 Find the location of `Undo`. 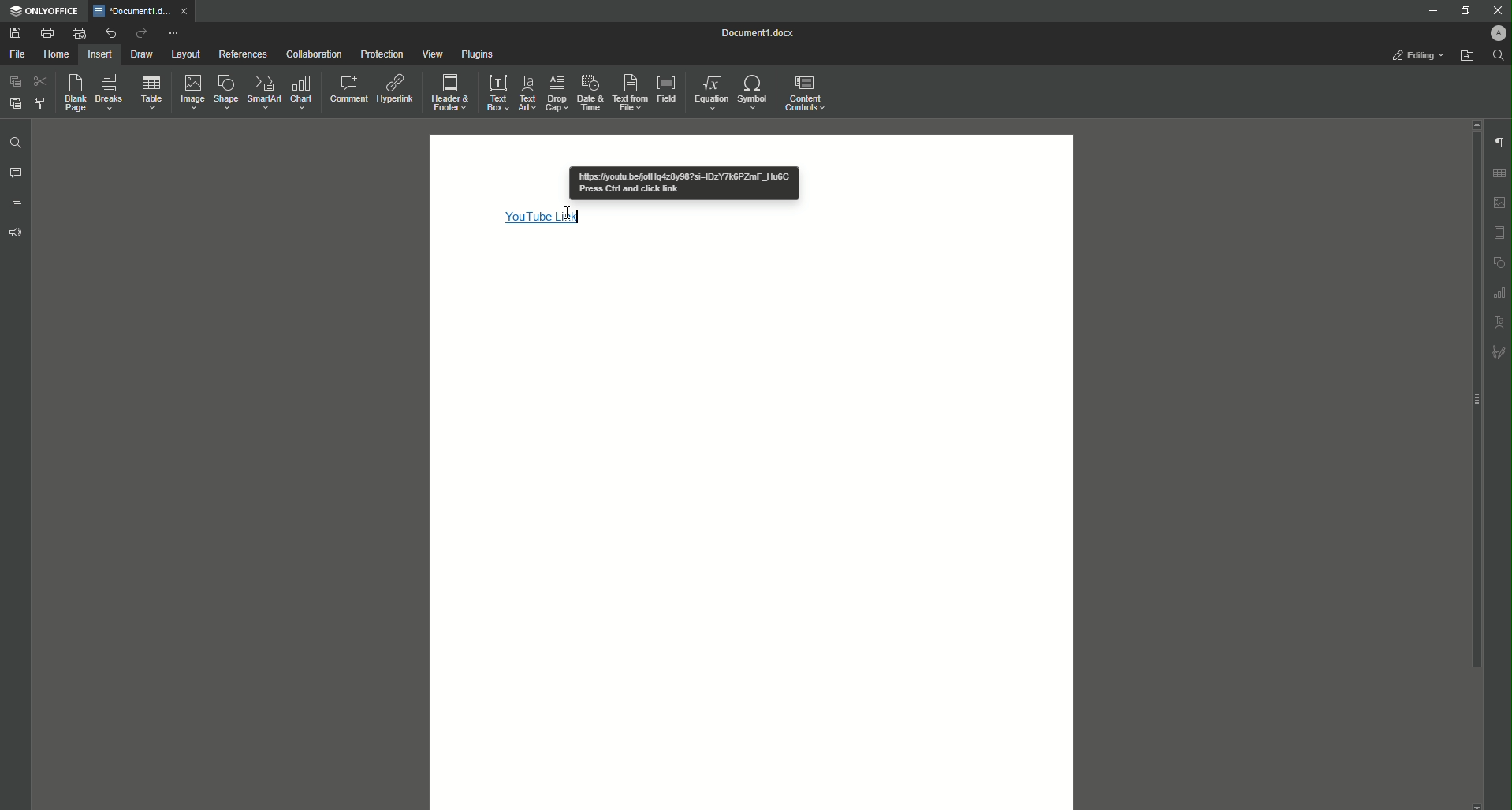

Undo is located at coordinates (110, 32).